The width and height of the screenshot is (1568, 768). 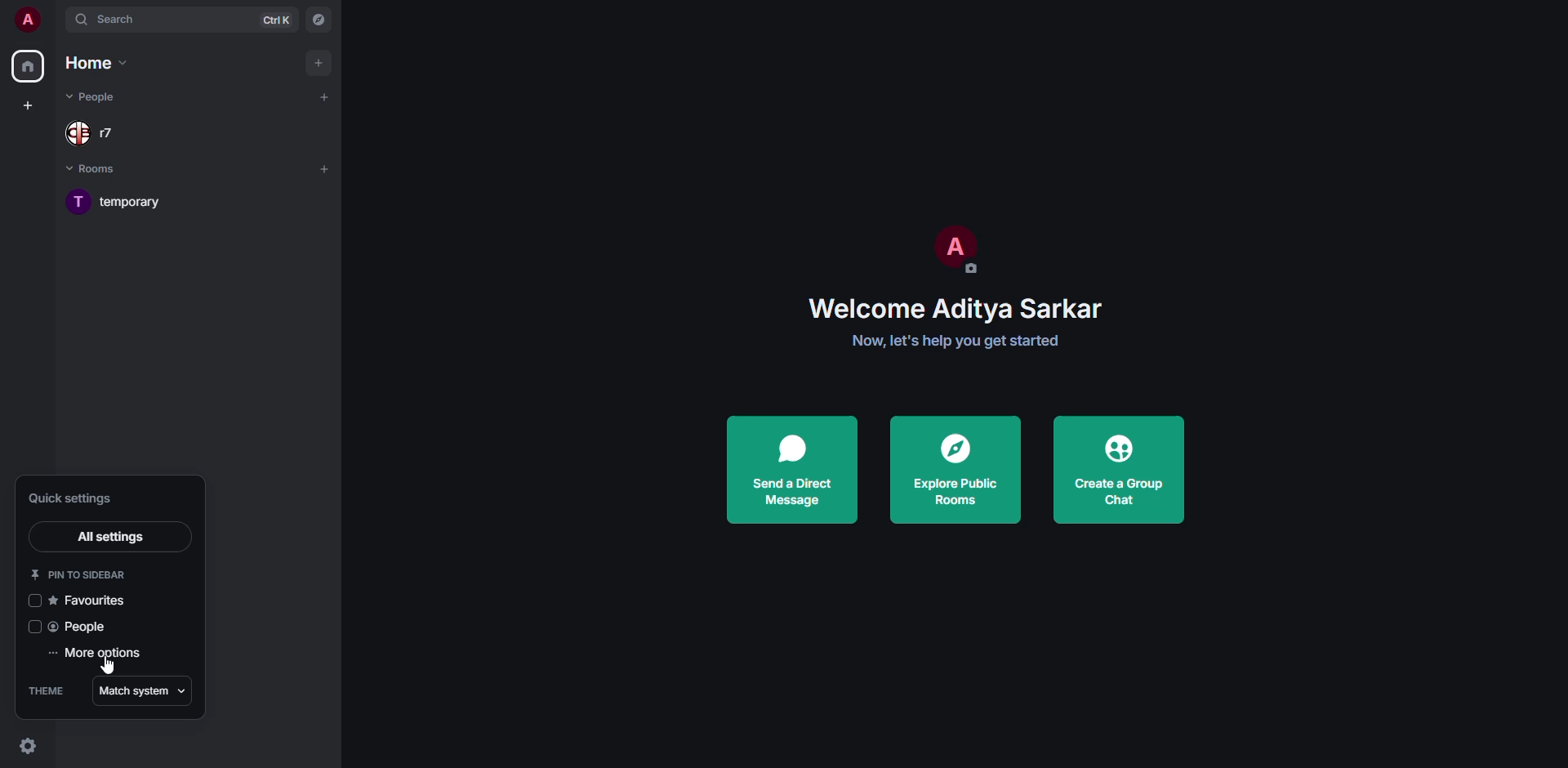 What do you see at coordinates (91, 601) in the screenshot?
I see `favorites` at bounding box center [91, 601].